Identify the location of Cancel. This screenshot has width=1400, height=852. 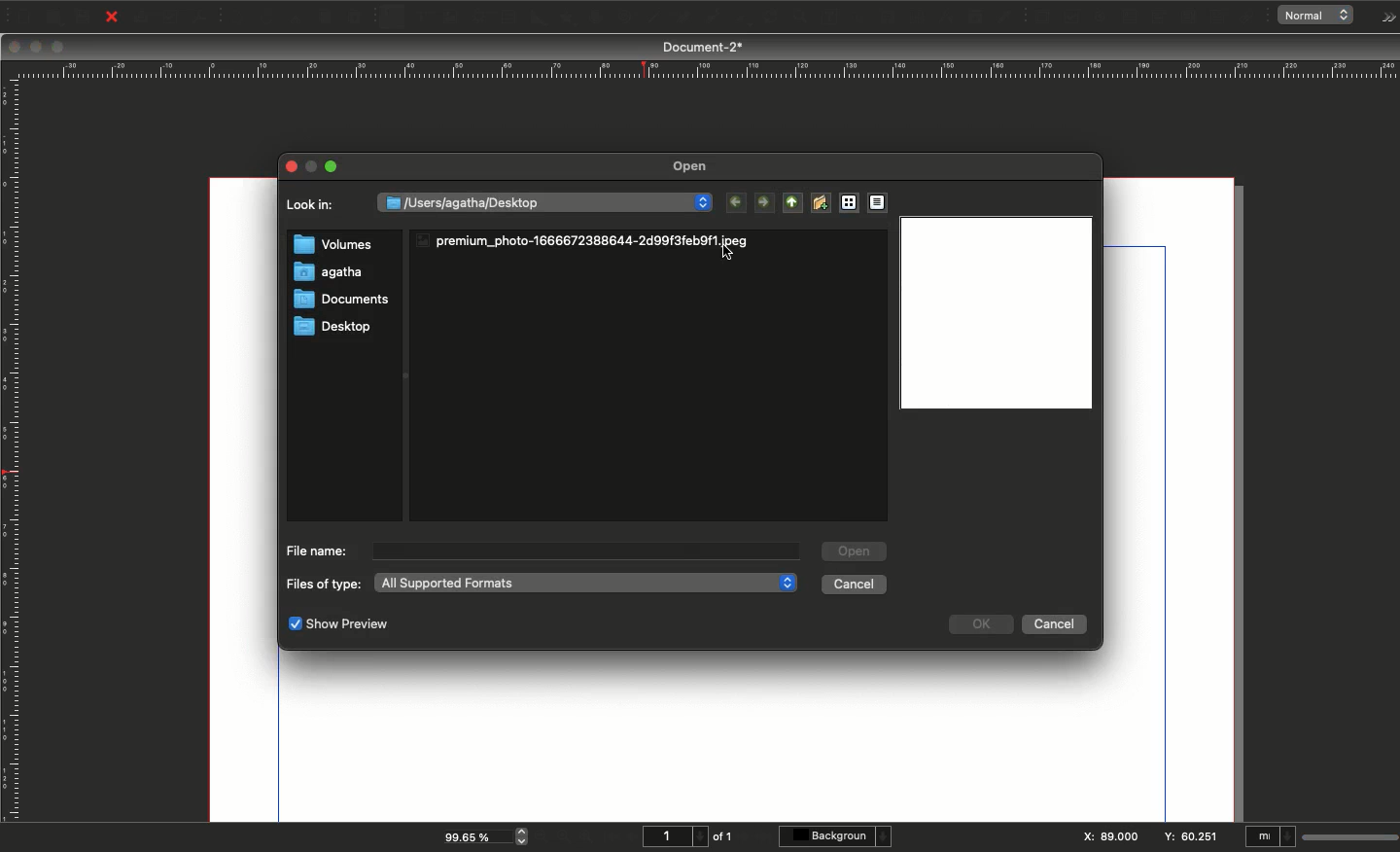
(855, 584).